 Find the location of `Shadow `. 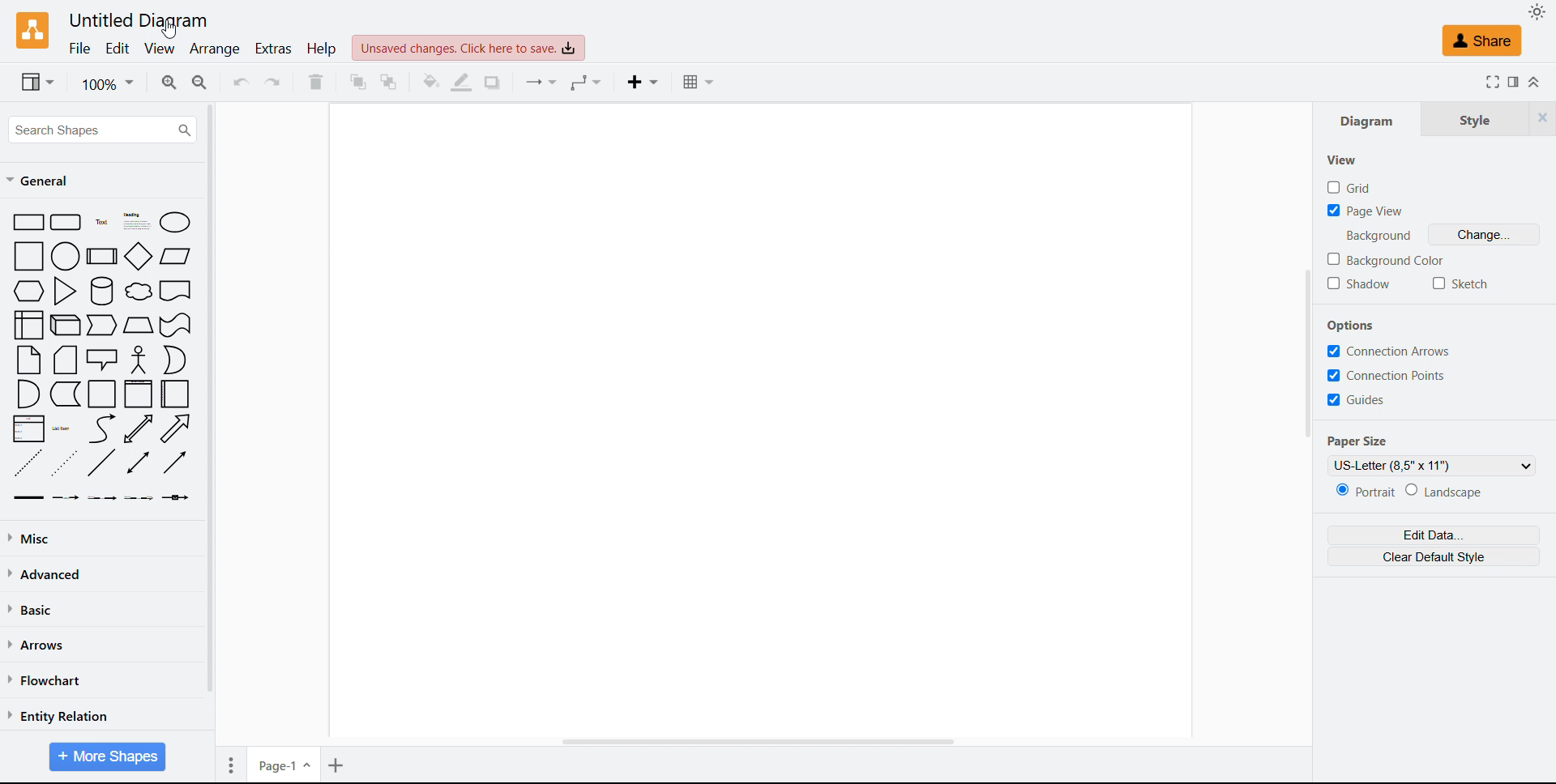

Shadow  is located at coordinates (494, 83).